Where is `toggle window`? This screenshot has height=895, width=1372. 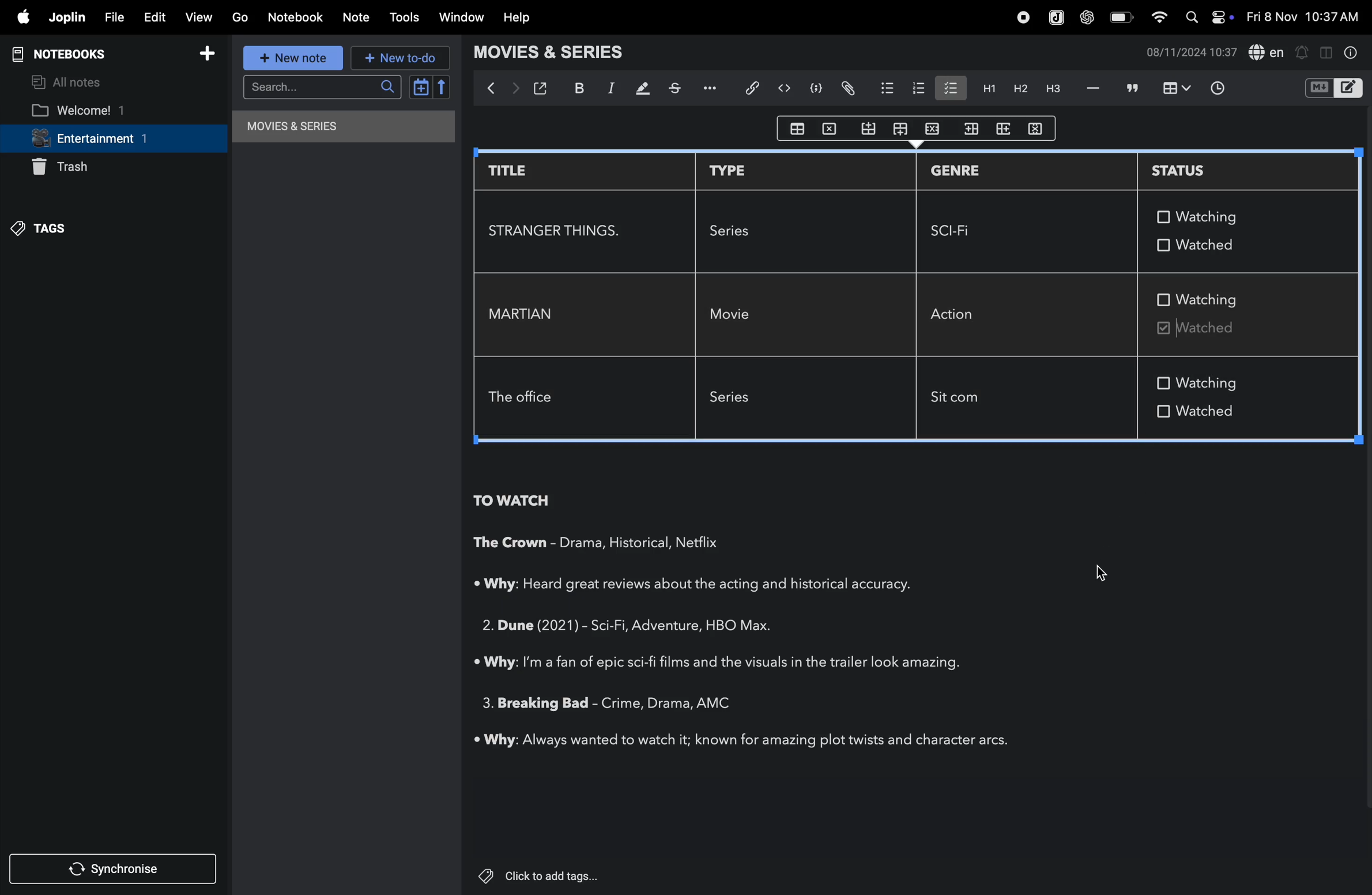
toggle window is located at coordinates (1327, 51).